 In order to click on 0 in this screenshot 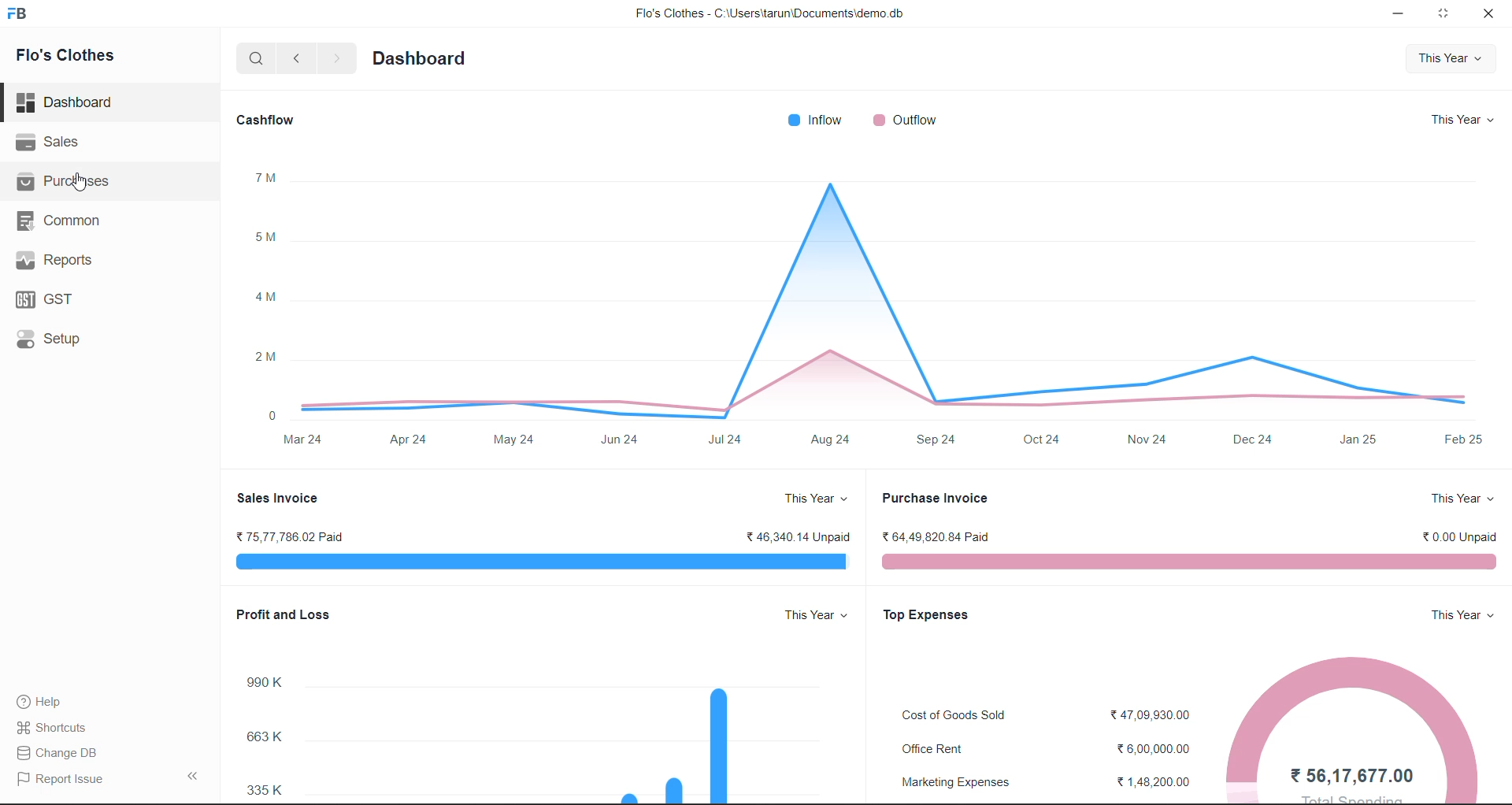, I will do `click(272, 414)`.